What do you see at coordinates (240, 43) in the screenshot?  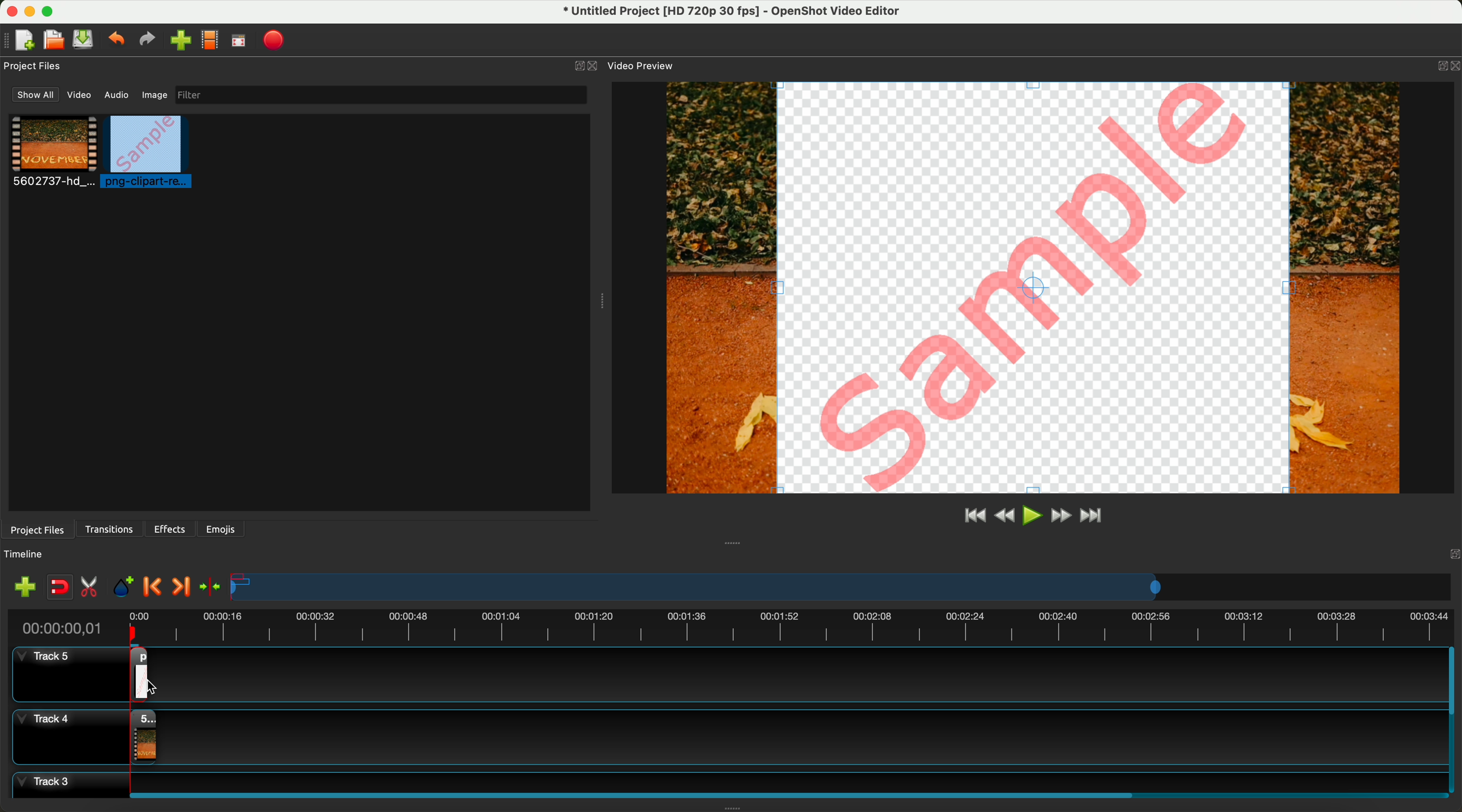 I see `full screen` at bounding box center [240, 43].